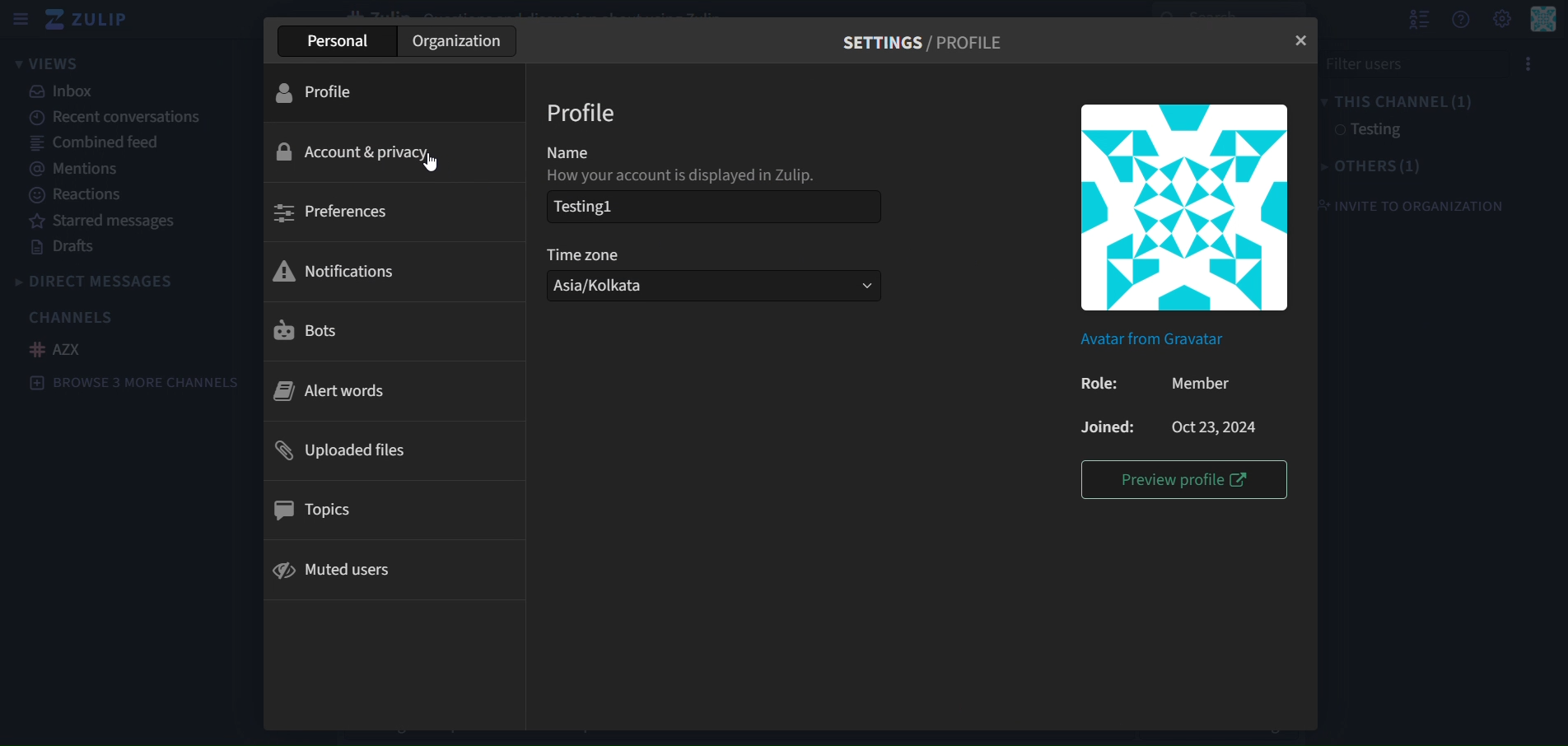 The image size is (1568, 746). Describe the element at coordinates (927, 40) in the screenshot. I see `settings/Profile` at that location.